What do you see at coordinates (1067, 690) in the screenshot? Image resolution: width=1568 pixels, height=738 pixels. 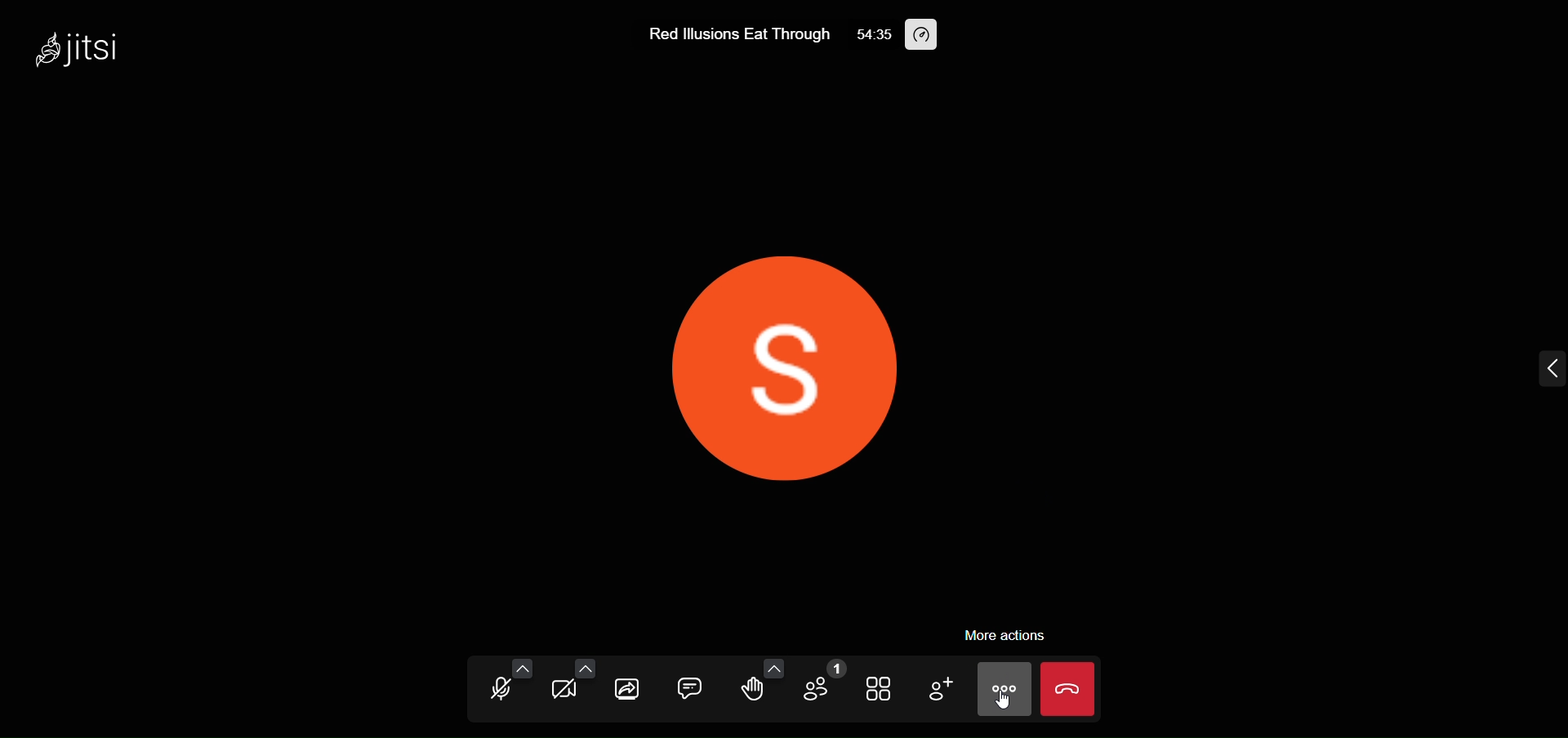 I see `leave meeting` at bounding box center [1067, 690].